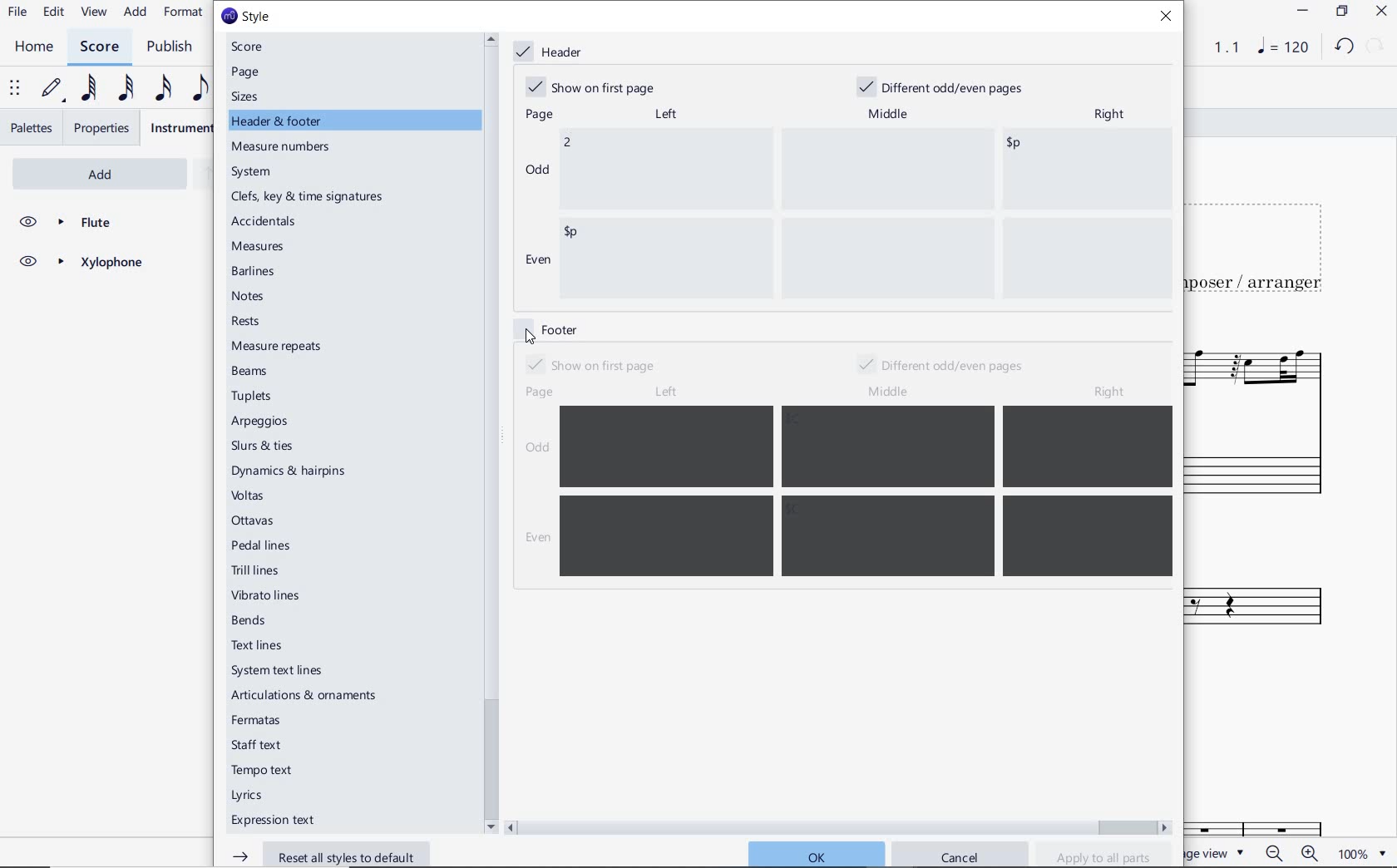 Image resolution: width=1397 pixels, height=868 pixels. I want to click on data entered "2", so click(866, 214).